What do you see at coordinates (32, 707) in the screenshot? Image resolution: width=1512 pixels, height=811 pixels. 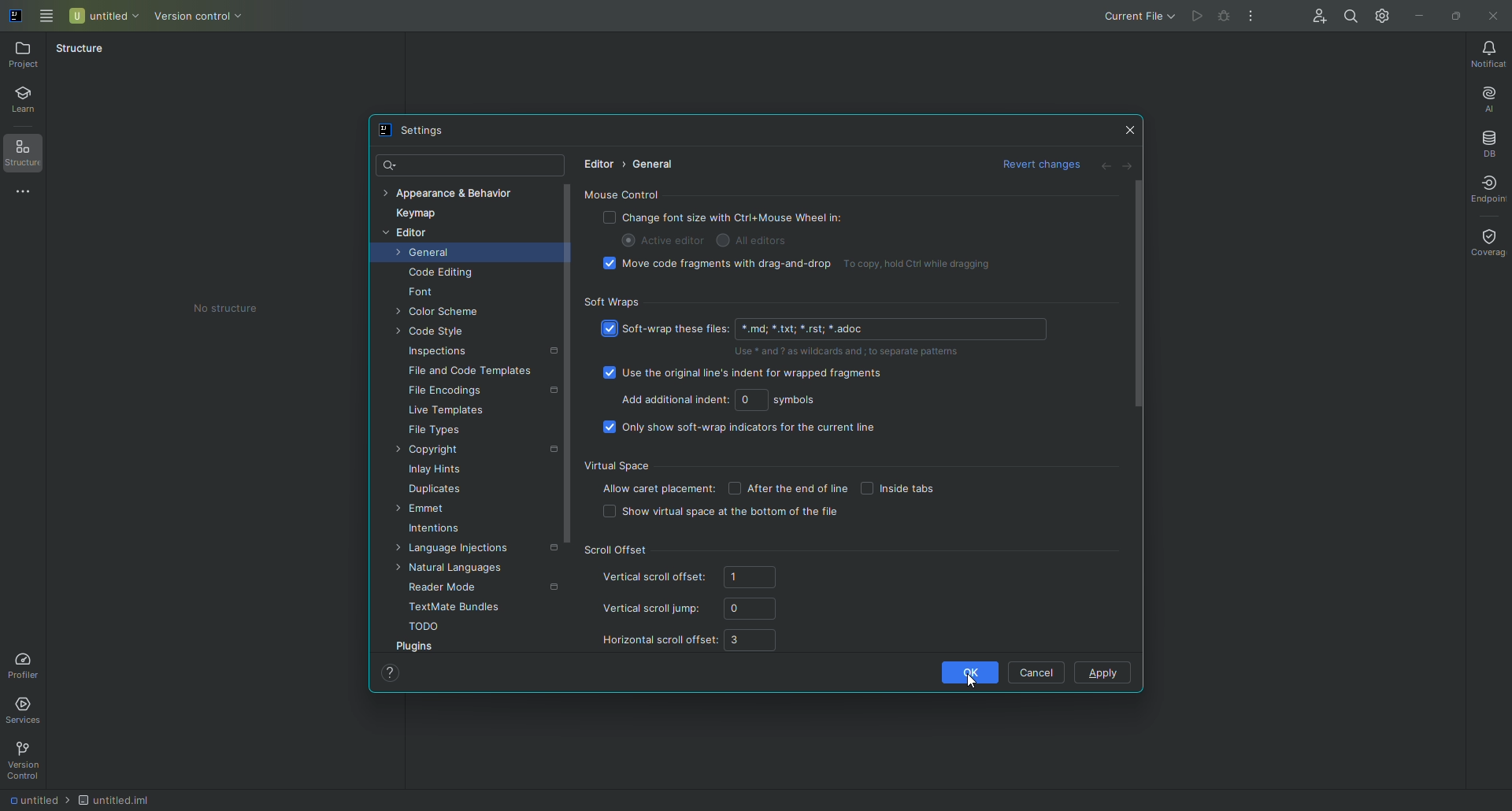 I see `Services` at bounding box center [32, 707].